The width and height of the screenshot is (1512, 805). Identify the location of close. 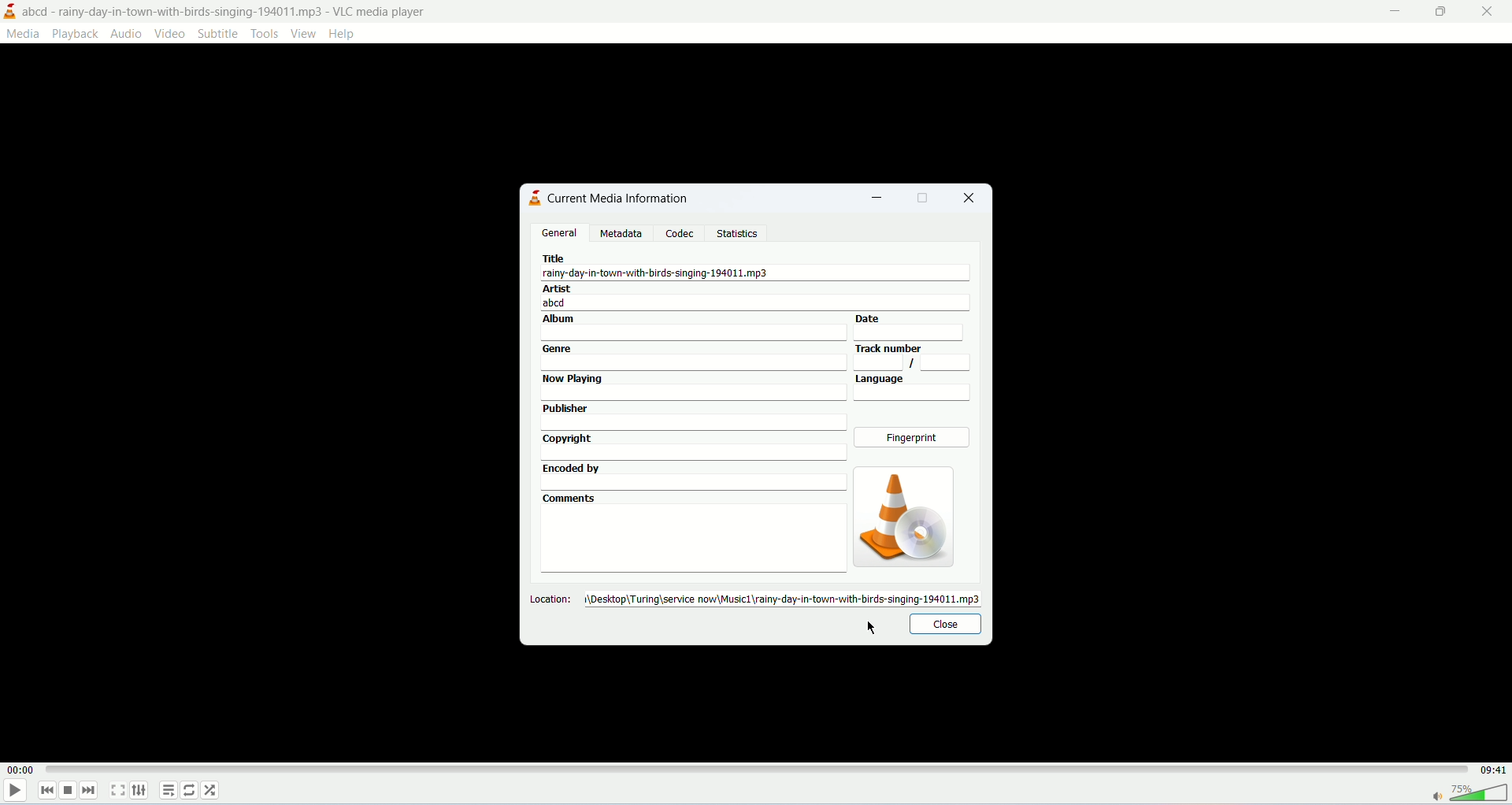
(1486, 13).